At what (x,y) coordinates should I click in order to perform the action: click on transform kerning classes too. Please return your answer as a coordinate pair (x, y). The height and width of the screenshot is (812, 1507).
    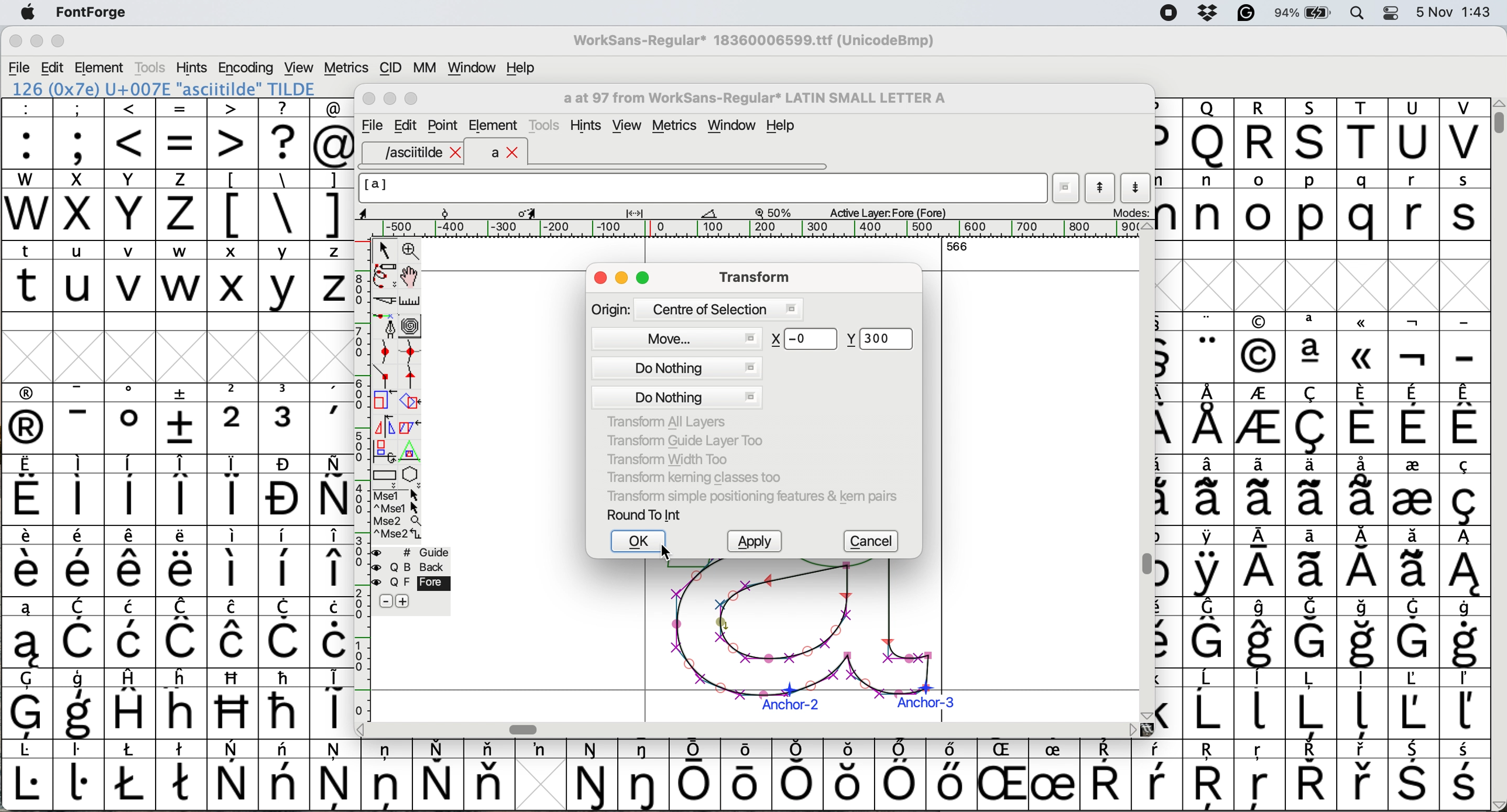
    Looking at the image, I should click on (694, 477).